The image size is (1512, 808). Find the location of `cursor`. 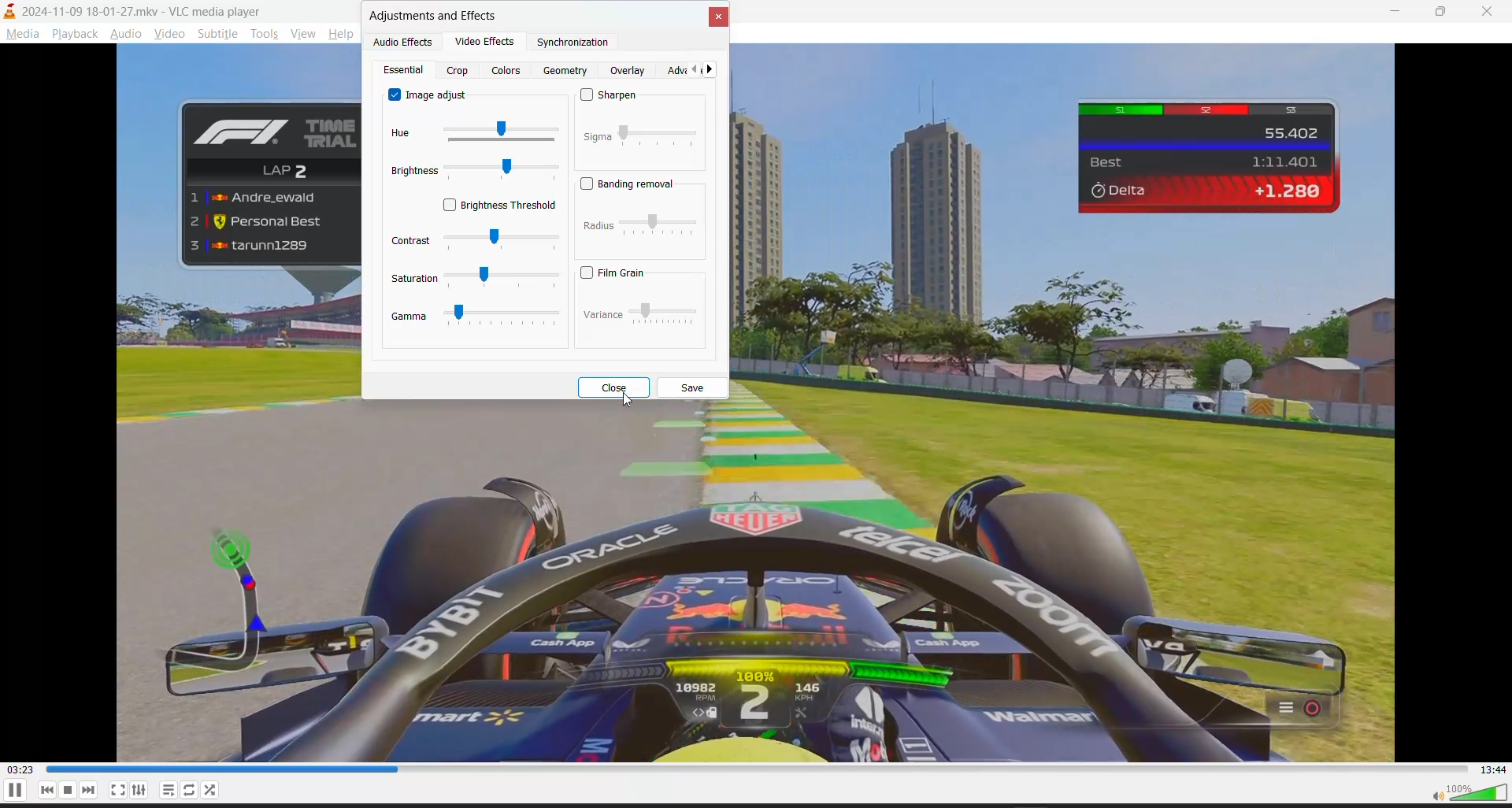

cursor is located at coordinates (624, 404).